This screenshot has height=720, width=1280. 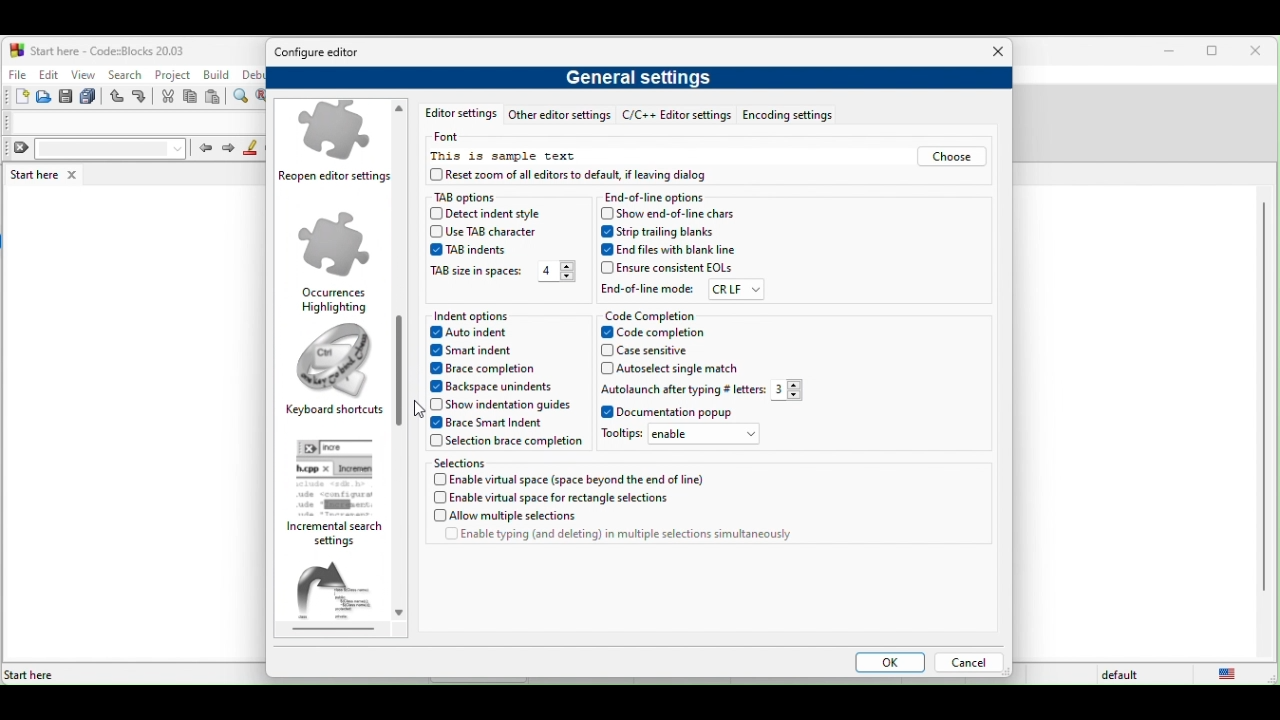 I want to click on end of line options, so click(x=660, y=198).